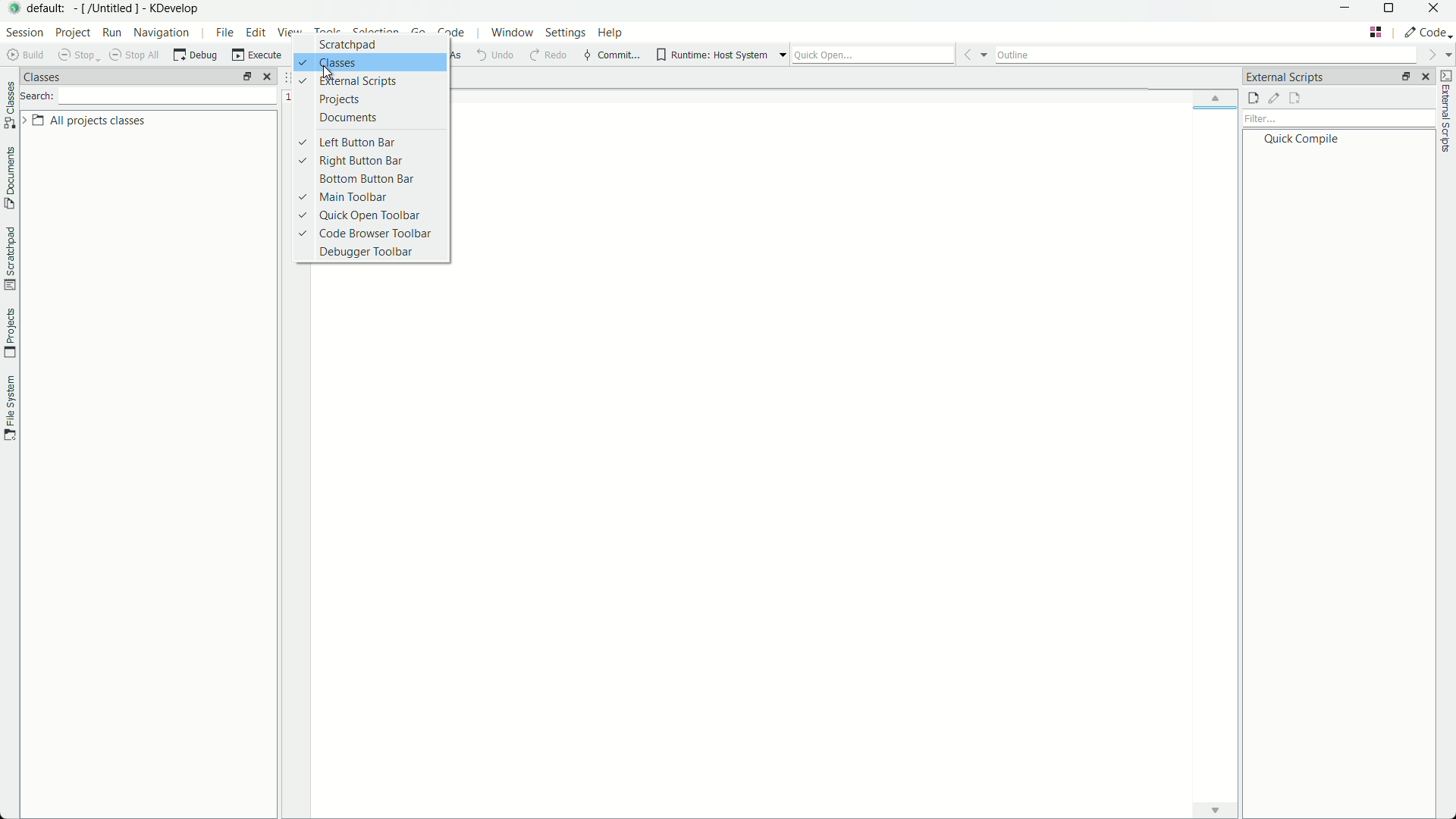 This screenshot has width=1456, height=819. What do you see at coordinates (1447, 114) in the screenshot?
I see `external scripts` at bounding box center [1447, 114].